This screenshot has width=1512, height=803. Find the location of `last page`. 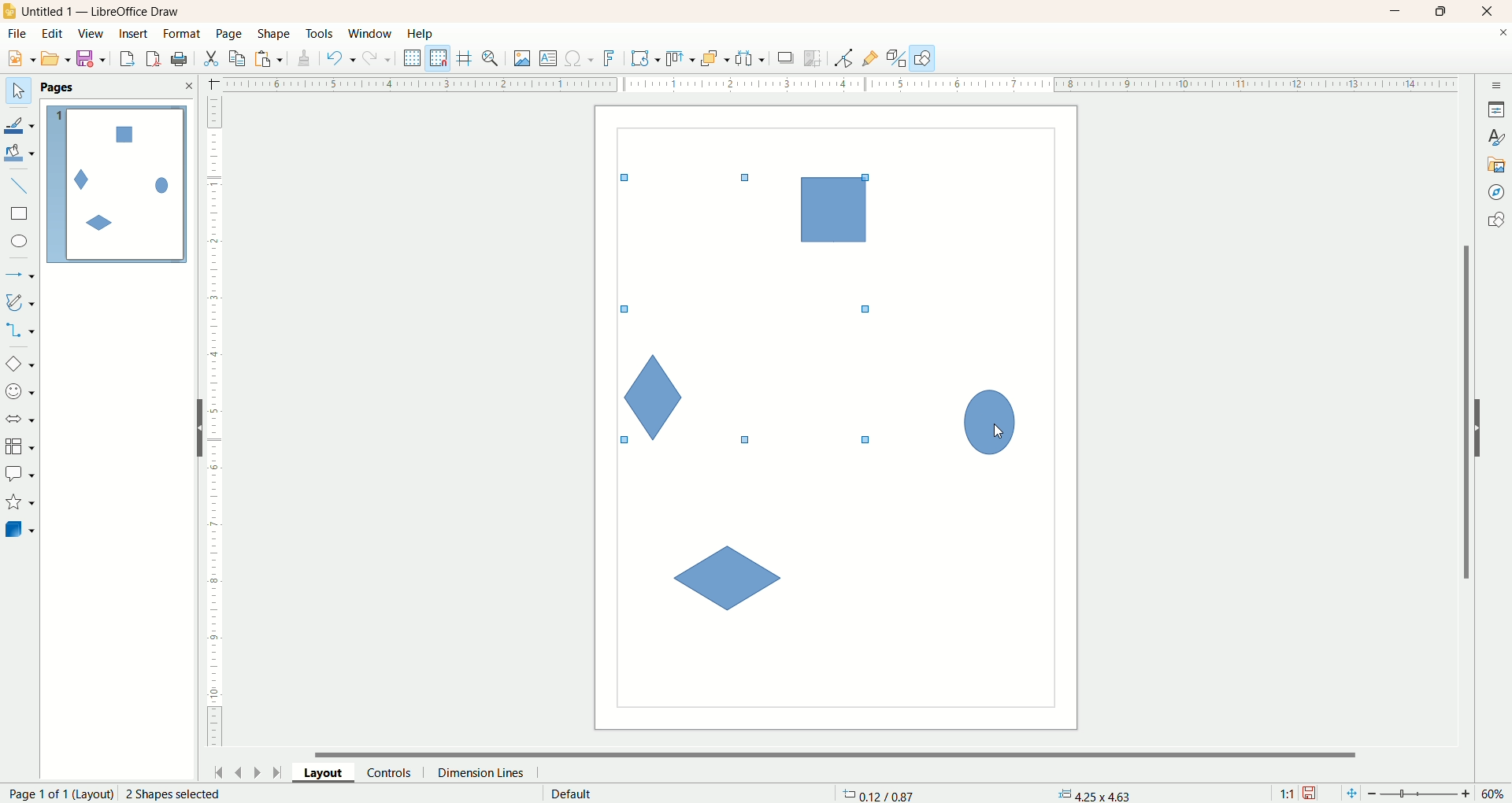

last page is located at coordinates (280, 771).